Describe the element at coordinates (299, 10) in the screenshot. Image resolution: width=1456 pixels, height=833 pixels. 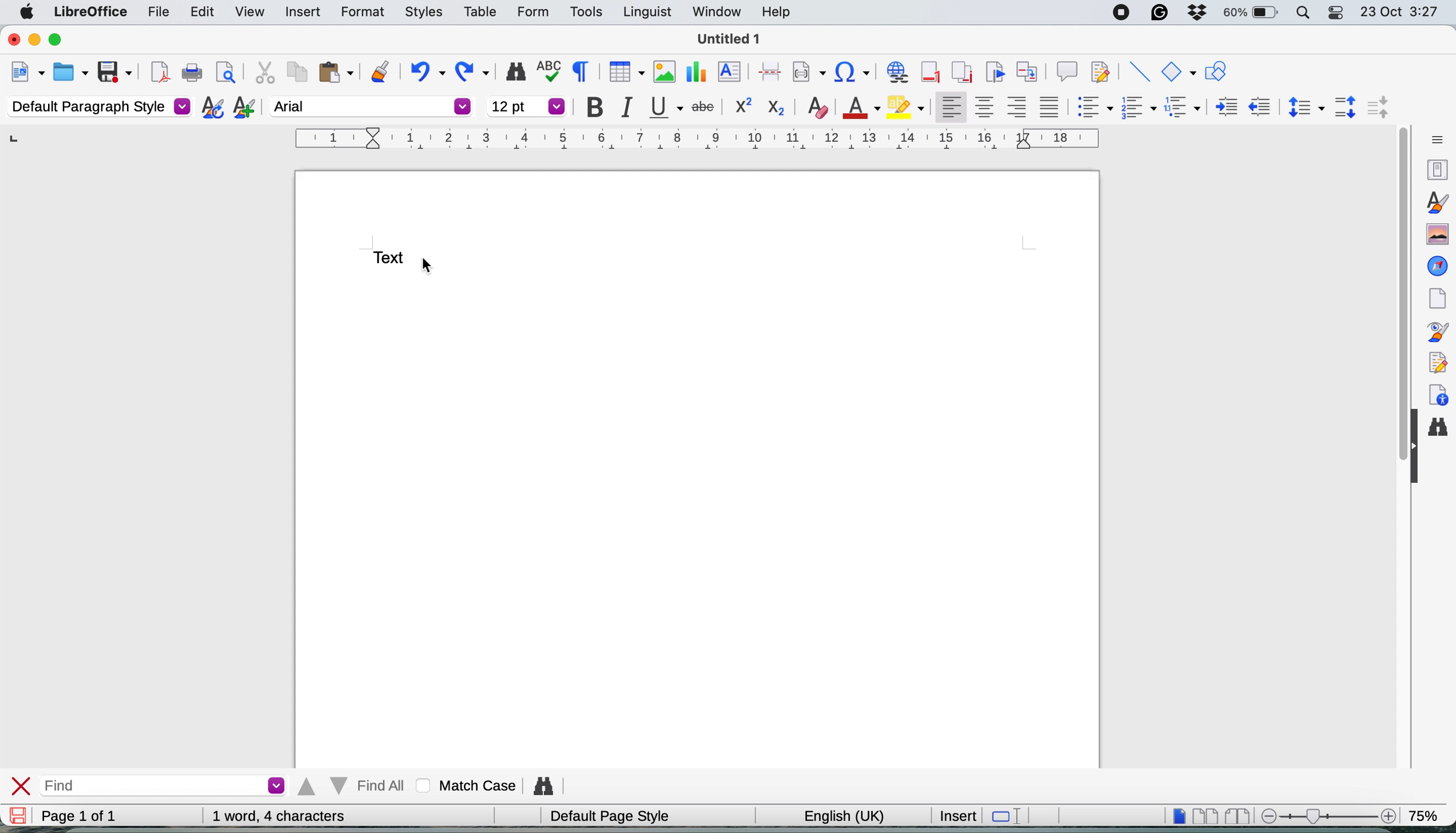
I see `insert` at that location.